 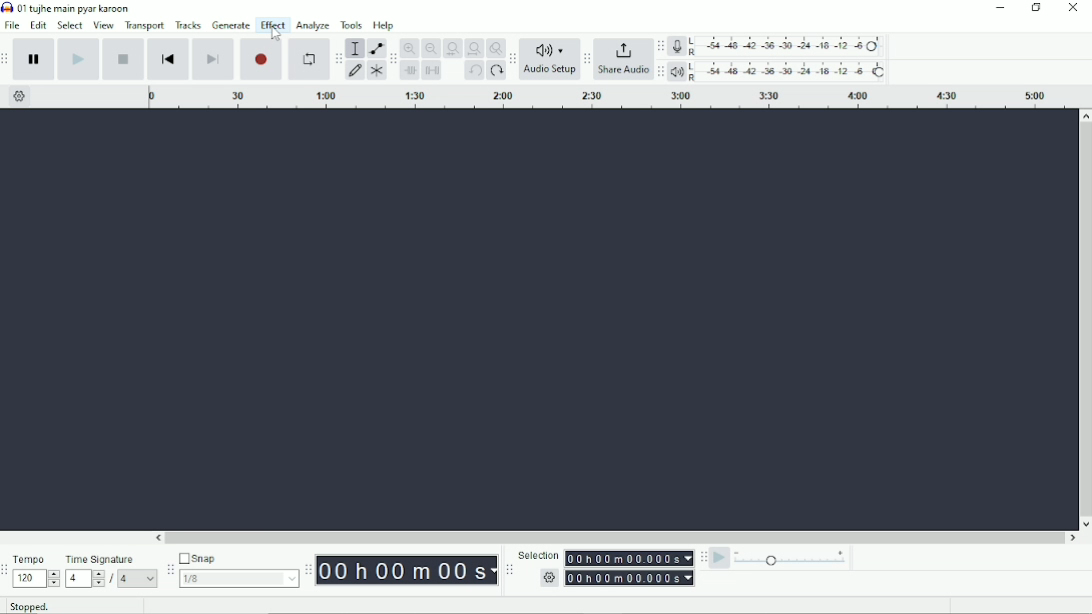 I want to click on Redo, so click(x=497, y=71).